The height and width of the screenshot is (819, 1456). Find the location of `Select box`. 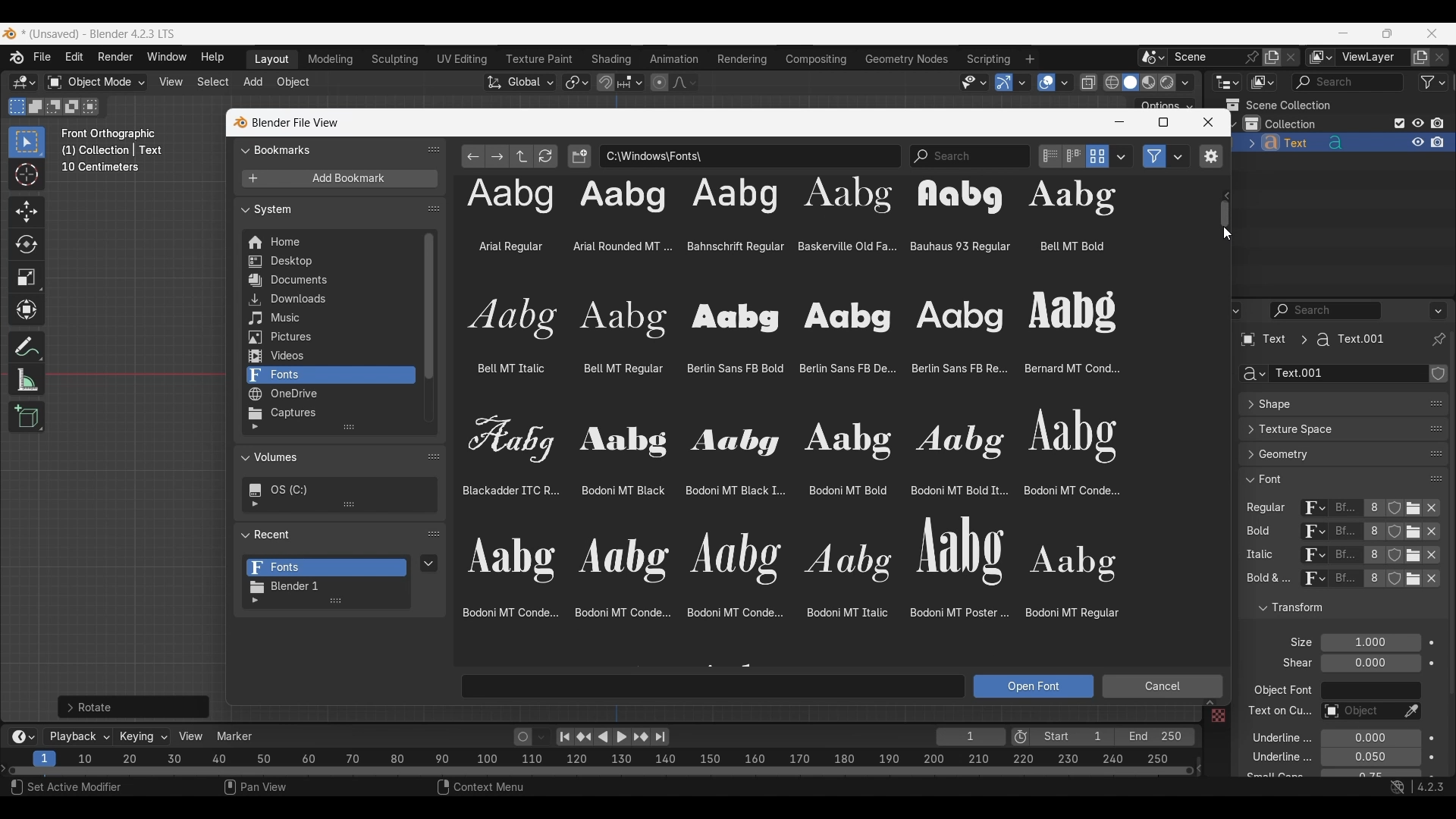

Select box is located at coordinates (27, 142).